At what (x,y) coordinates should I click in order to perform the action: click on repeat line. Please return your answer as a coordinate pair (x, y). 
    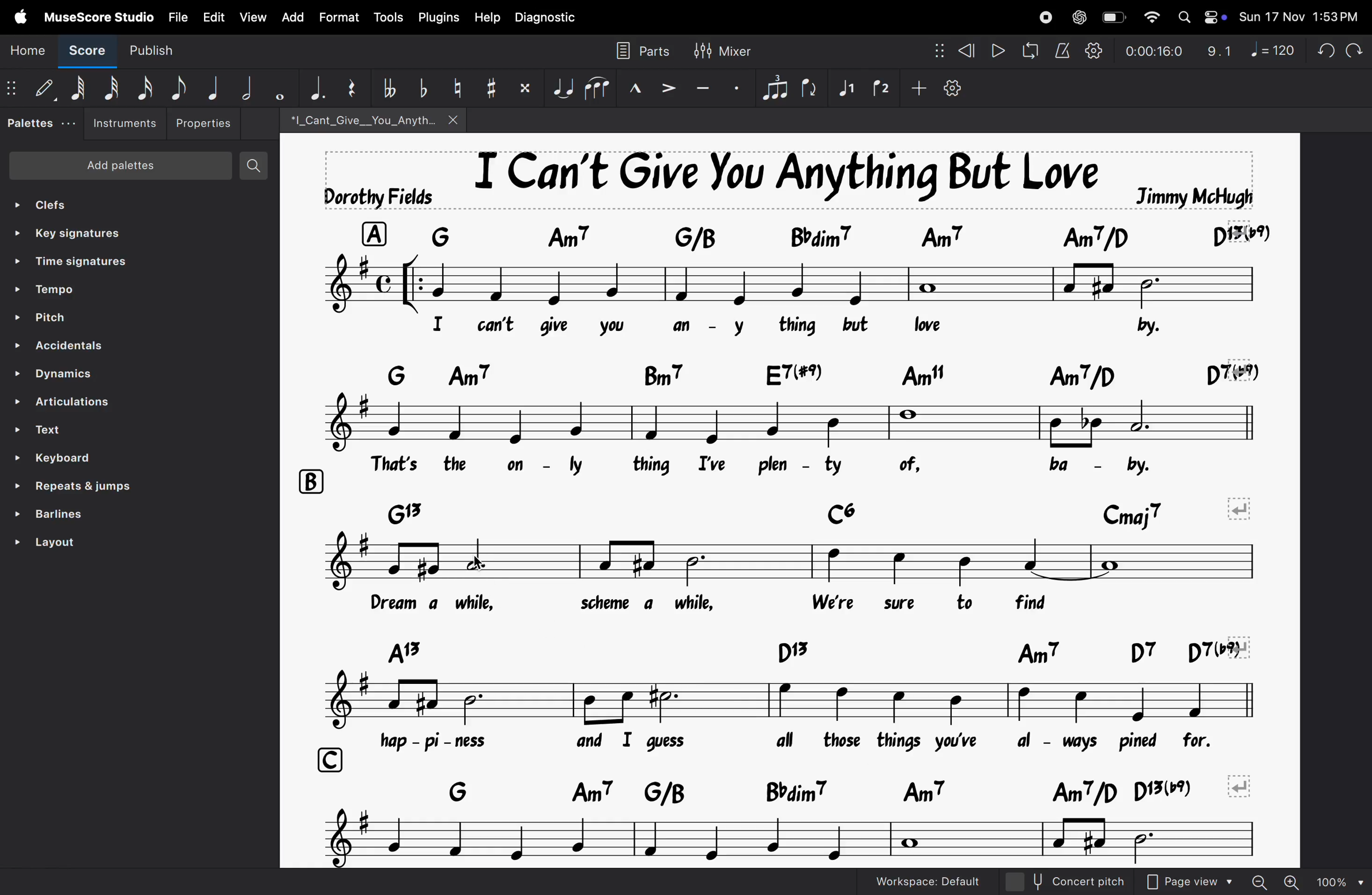
    Looking at the image, I should click on (77, 486).